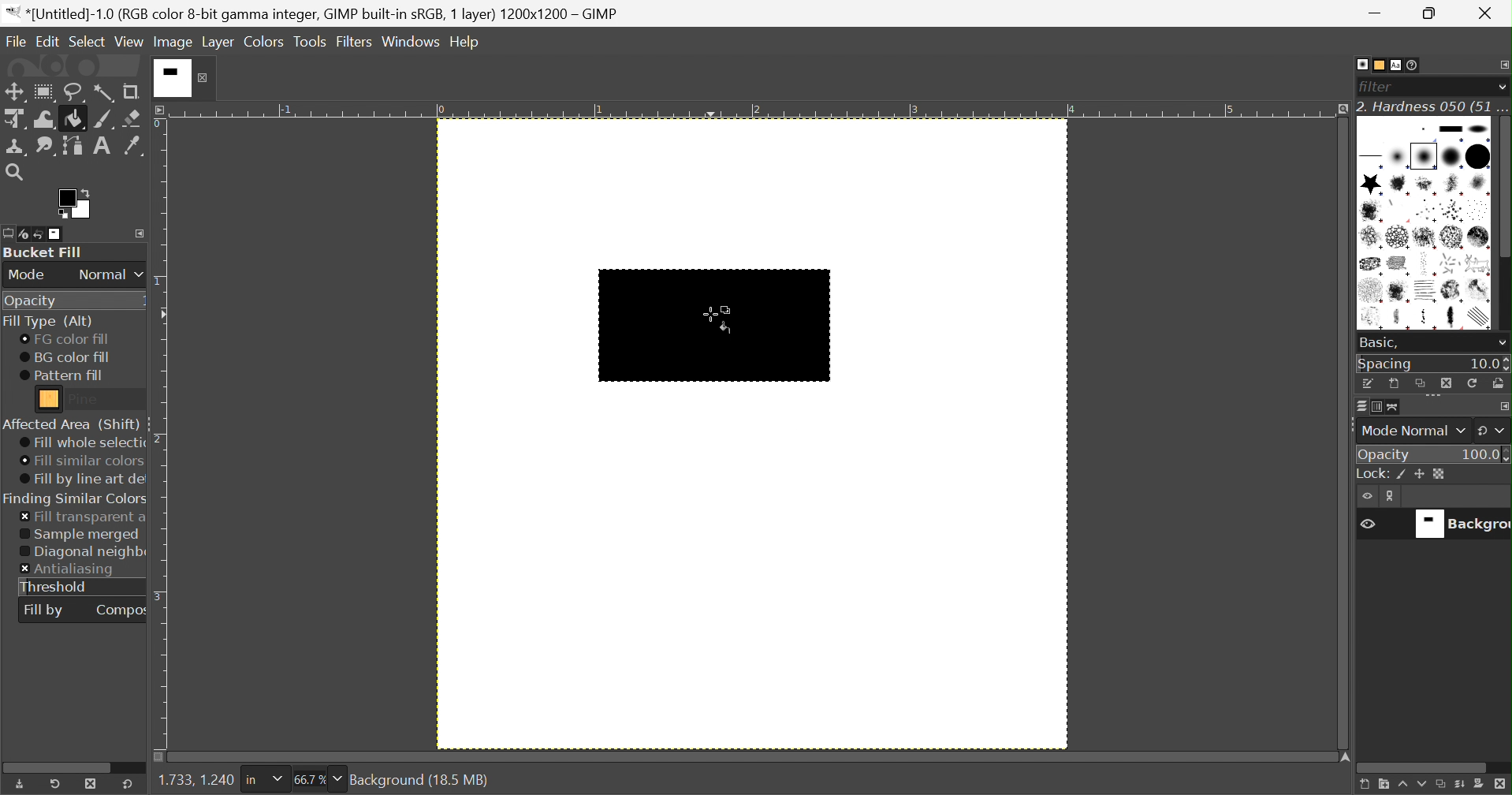 The width and height of the screenshot is (1512, 795). I want to click on vertical , so click(1503, 226).